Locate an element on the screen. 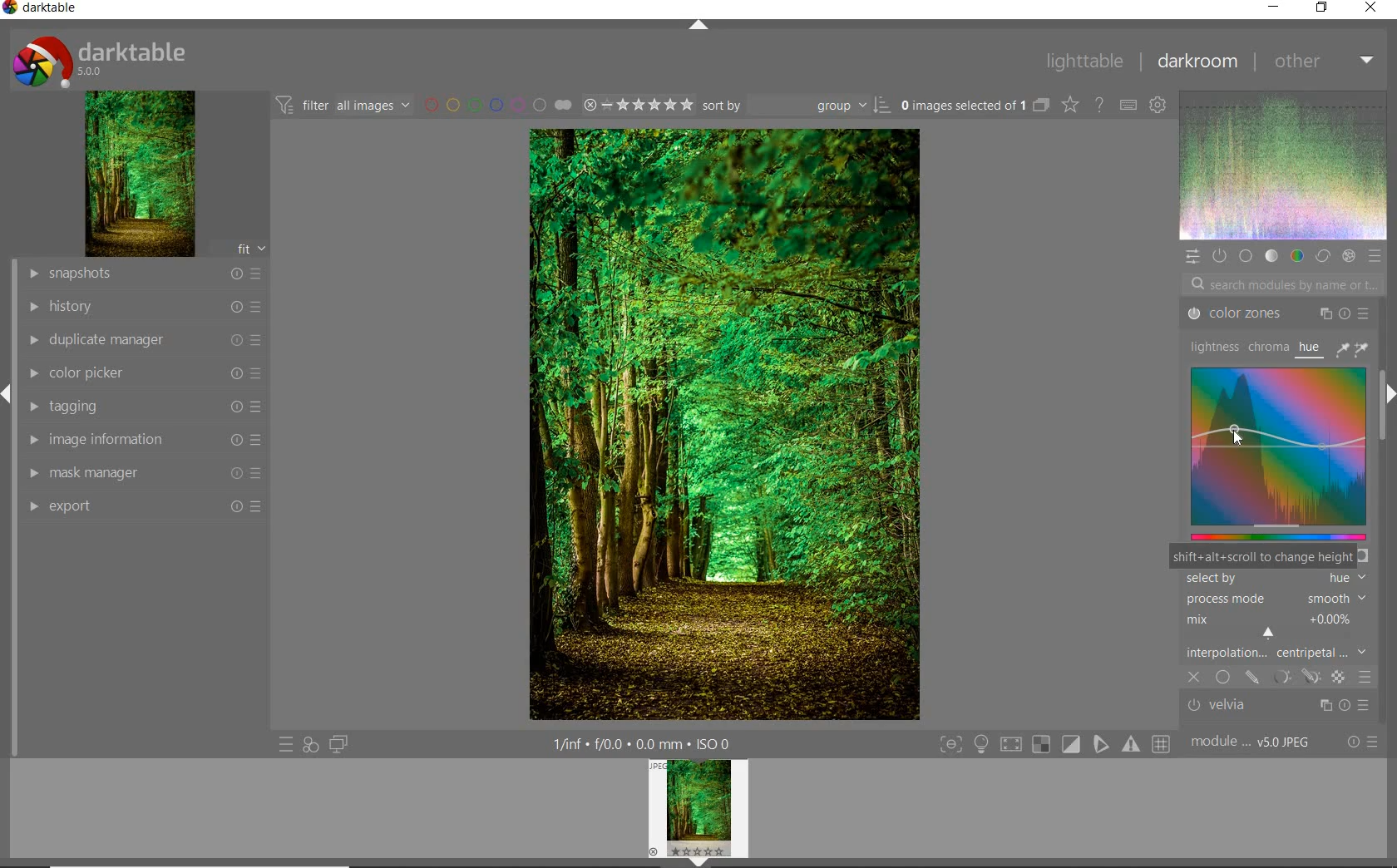 The image size is (1397, 868). SNAPSHOT is located at coordinates (144, 273).